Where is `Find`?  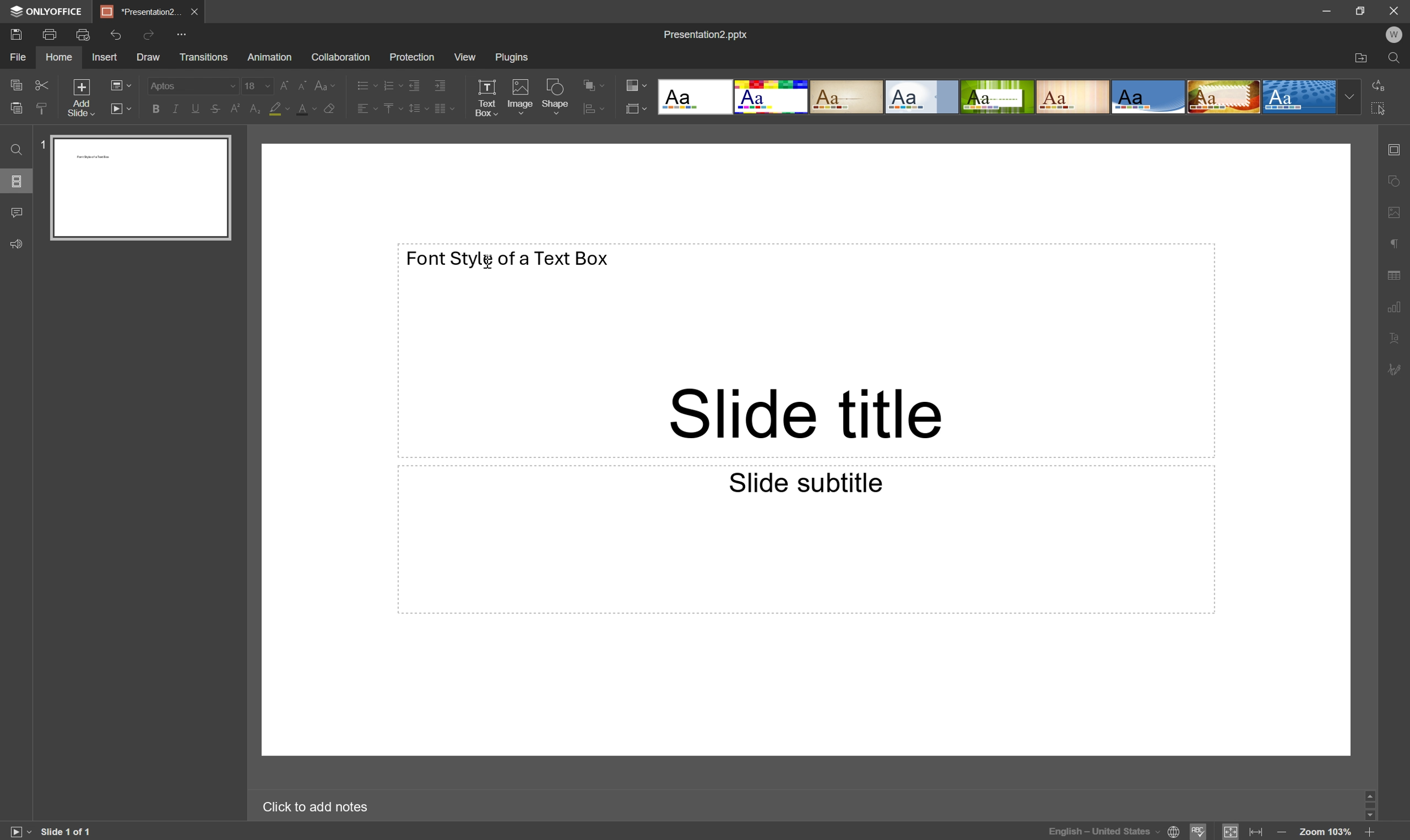
Find is located at coordinates (1396, 57).